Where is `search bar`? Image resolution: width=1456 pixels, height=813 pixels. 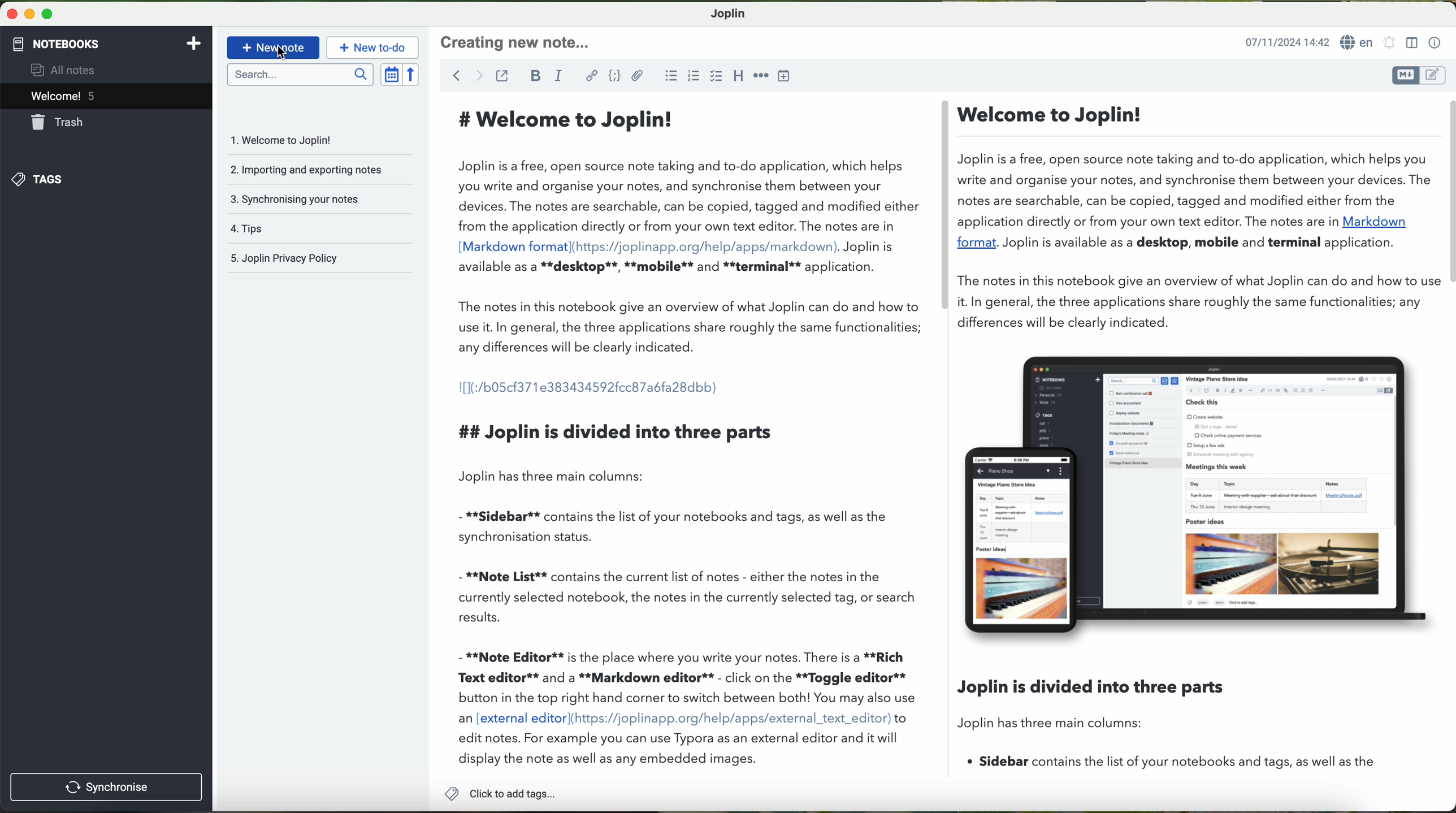
search bar is located at coordinates (298, 73).